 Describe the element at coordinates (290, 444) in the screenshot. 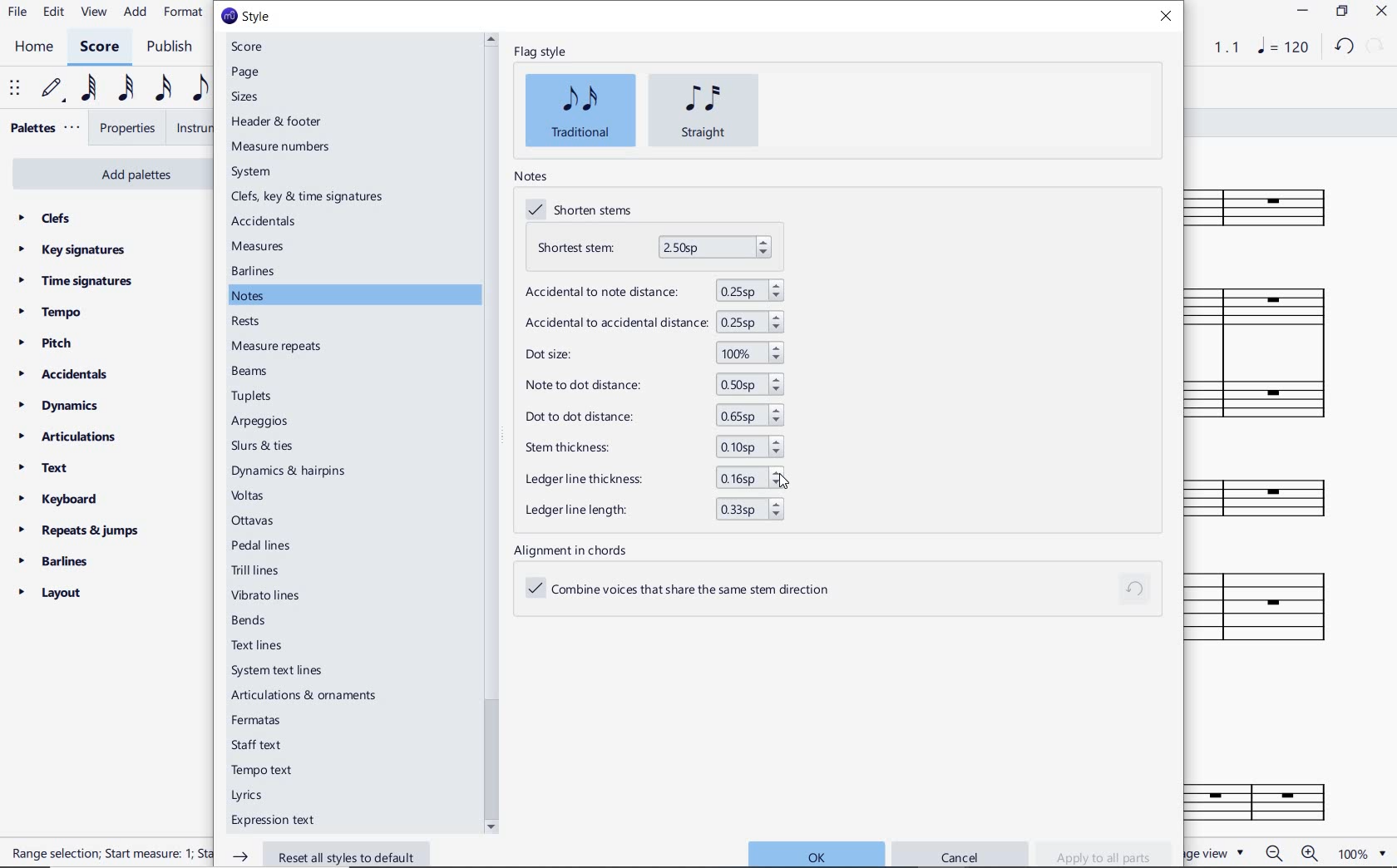

I see `slurs & ties` at that location.